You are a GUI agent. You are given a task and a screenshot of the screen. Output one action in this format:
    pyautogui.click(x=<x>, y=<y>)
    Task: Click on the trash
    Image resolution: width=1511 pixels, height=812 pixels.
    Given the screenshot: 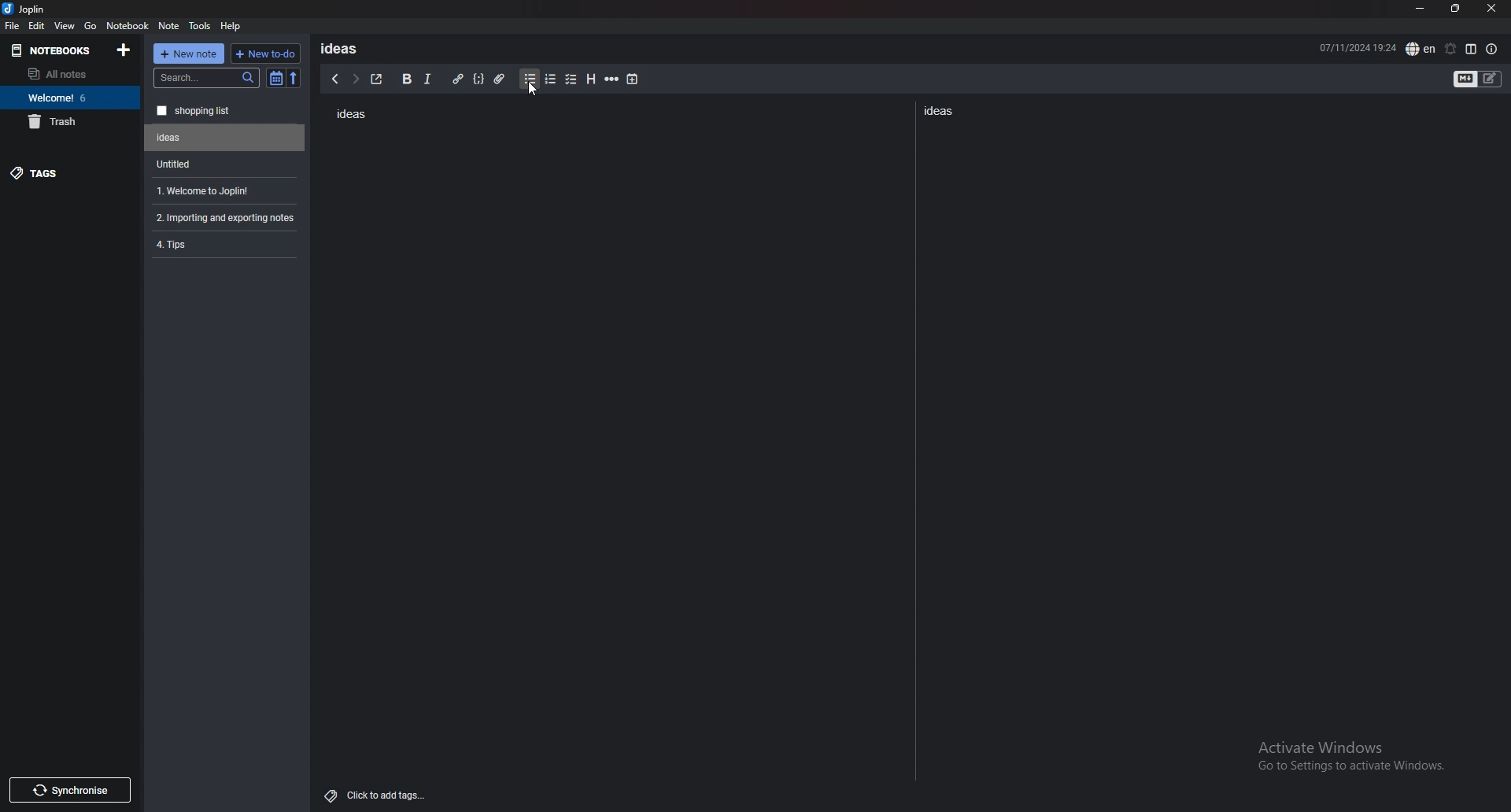 What is the action you would take?
    pyautogui.click(x=70, y=121)
    